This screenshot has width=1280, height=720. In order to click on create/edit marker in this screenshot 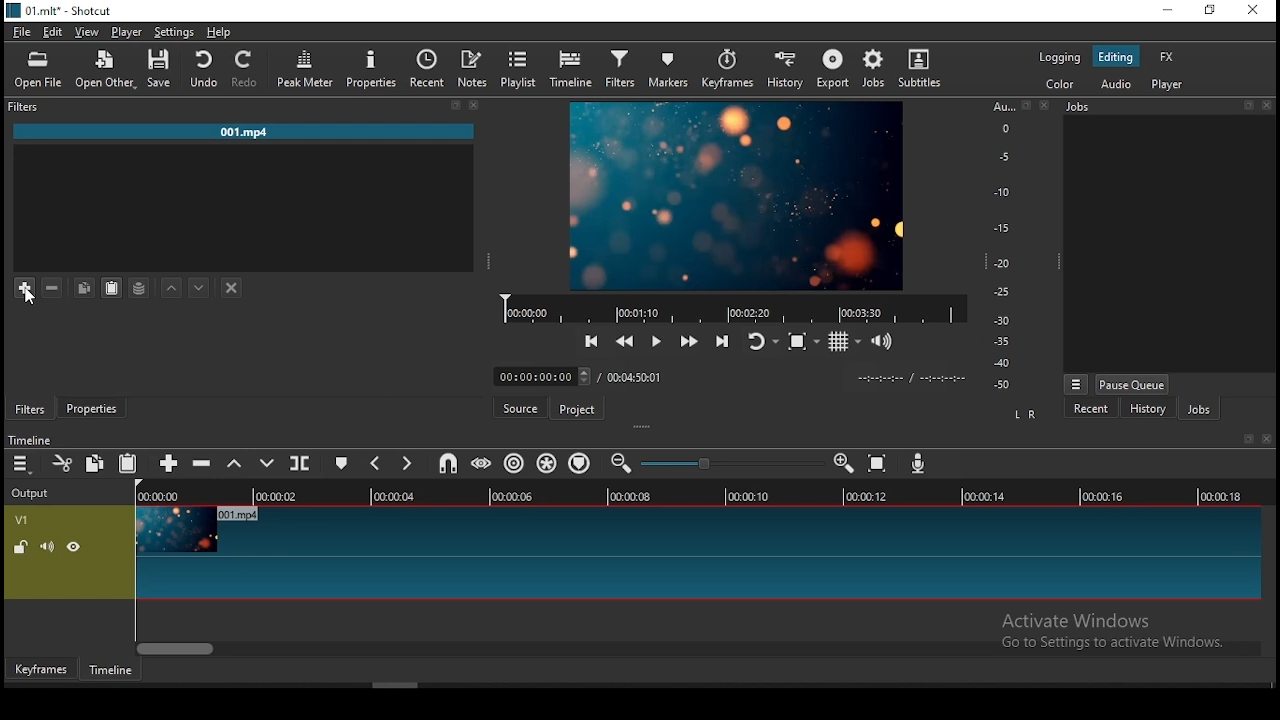, I will do `click(342, 464)`.